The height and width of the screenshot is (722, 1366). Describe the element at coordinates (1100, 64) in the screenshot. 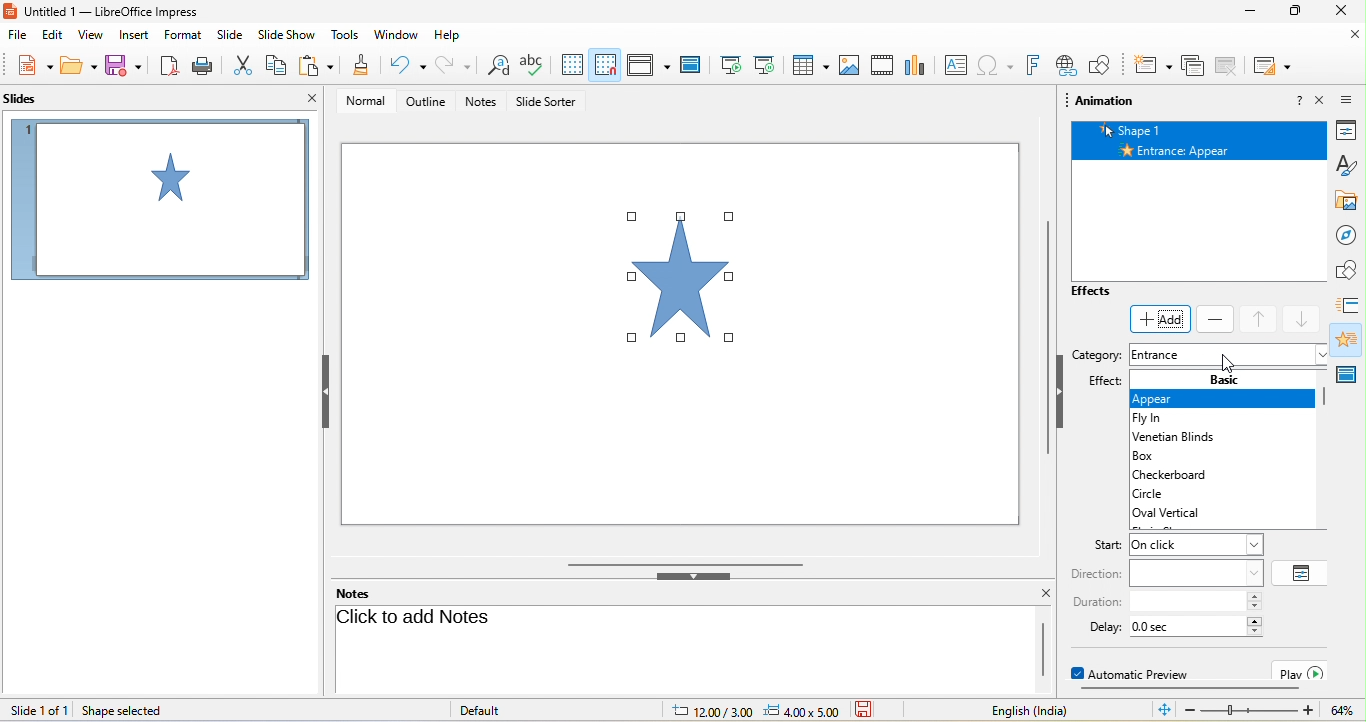

I see `show draw function` at that location.